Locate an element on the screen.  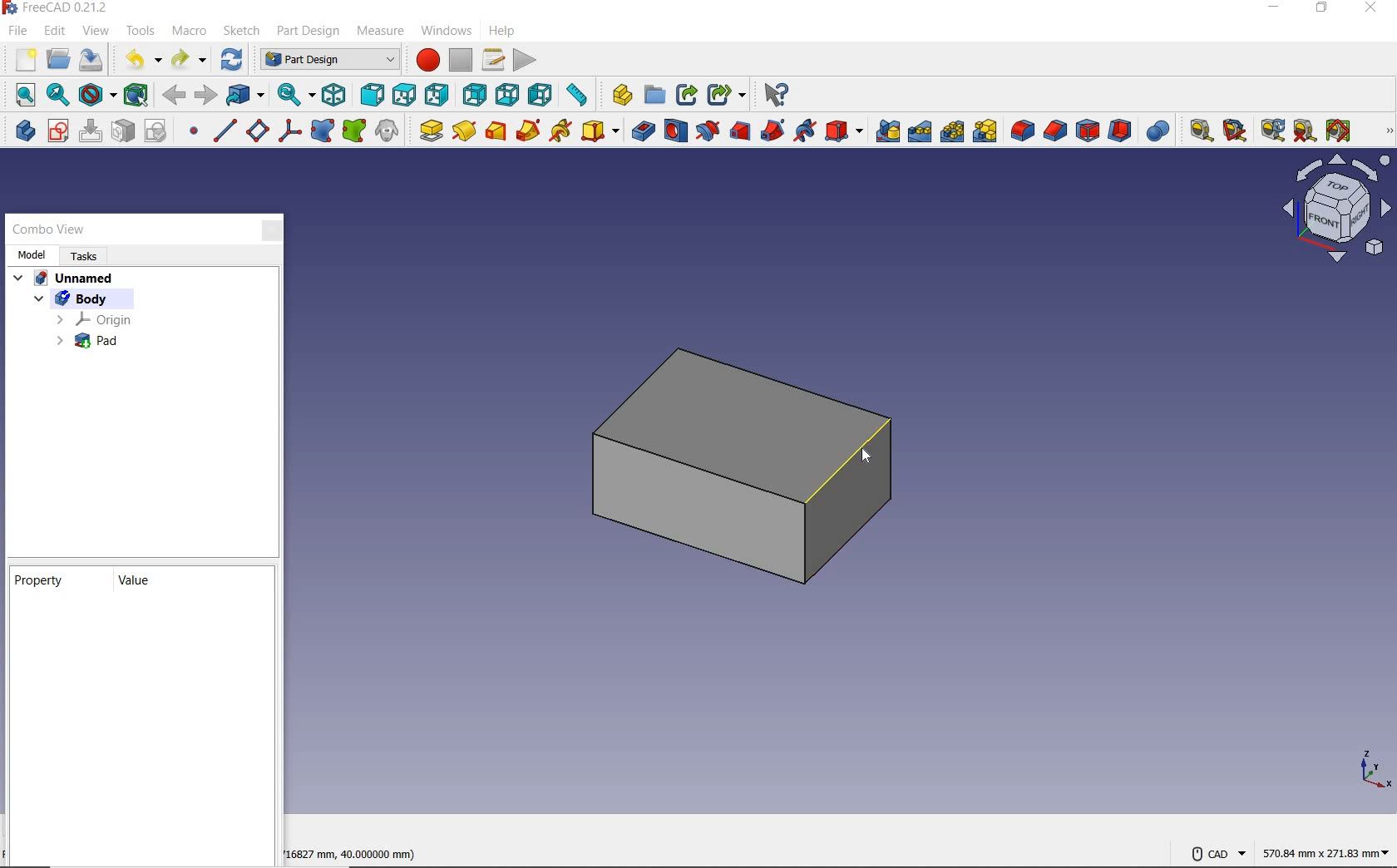
16827 mm, 40.000000 is located at coordinates (345, 854).